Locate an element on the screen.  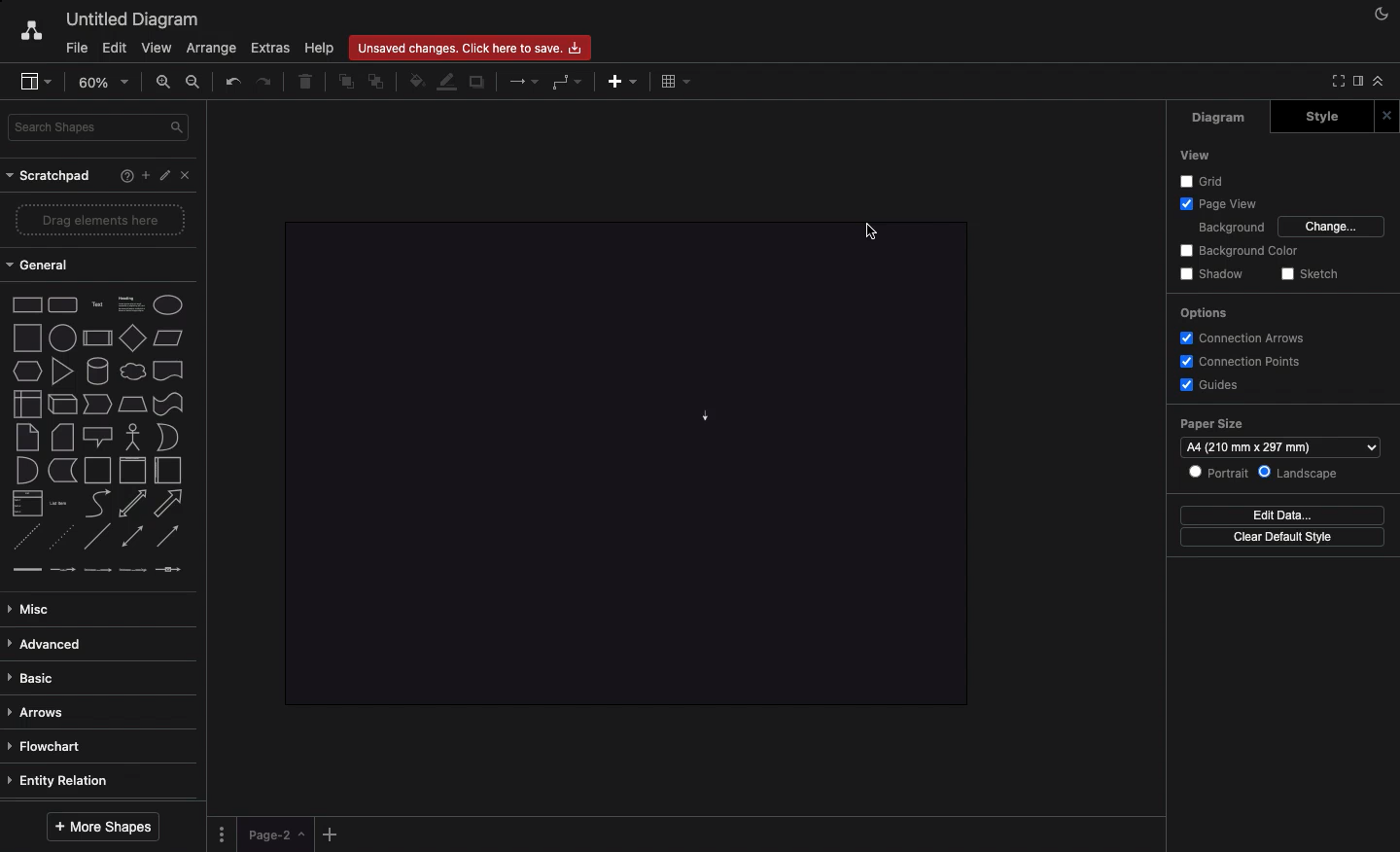
Entity relation is located at coordinates (67, 780).